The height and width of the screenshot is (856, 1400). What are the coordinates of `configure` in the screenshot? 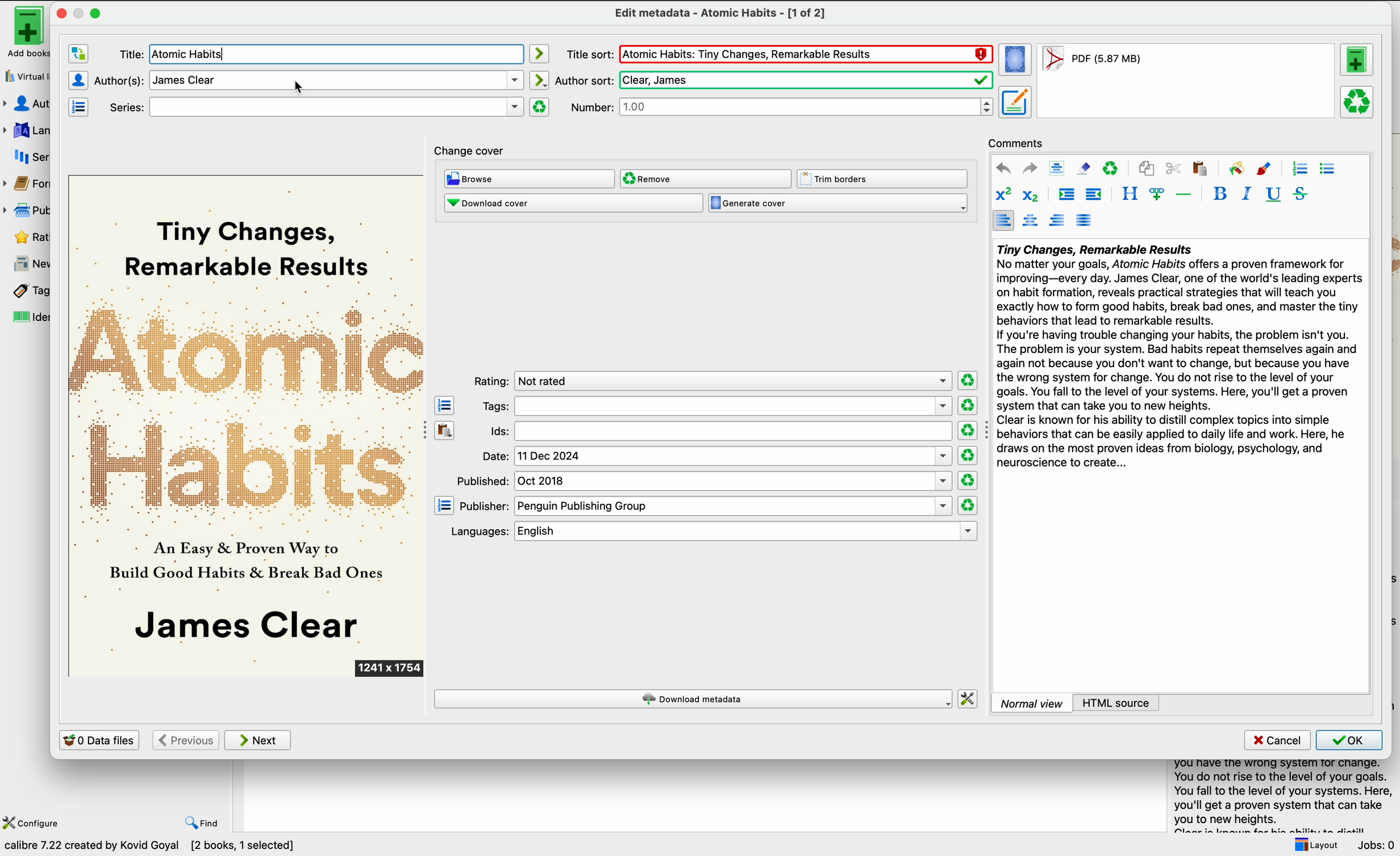 It's located at (34, 822).